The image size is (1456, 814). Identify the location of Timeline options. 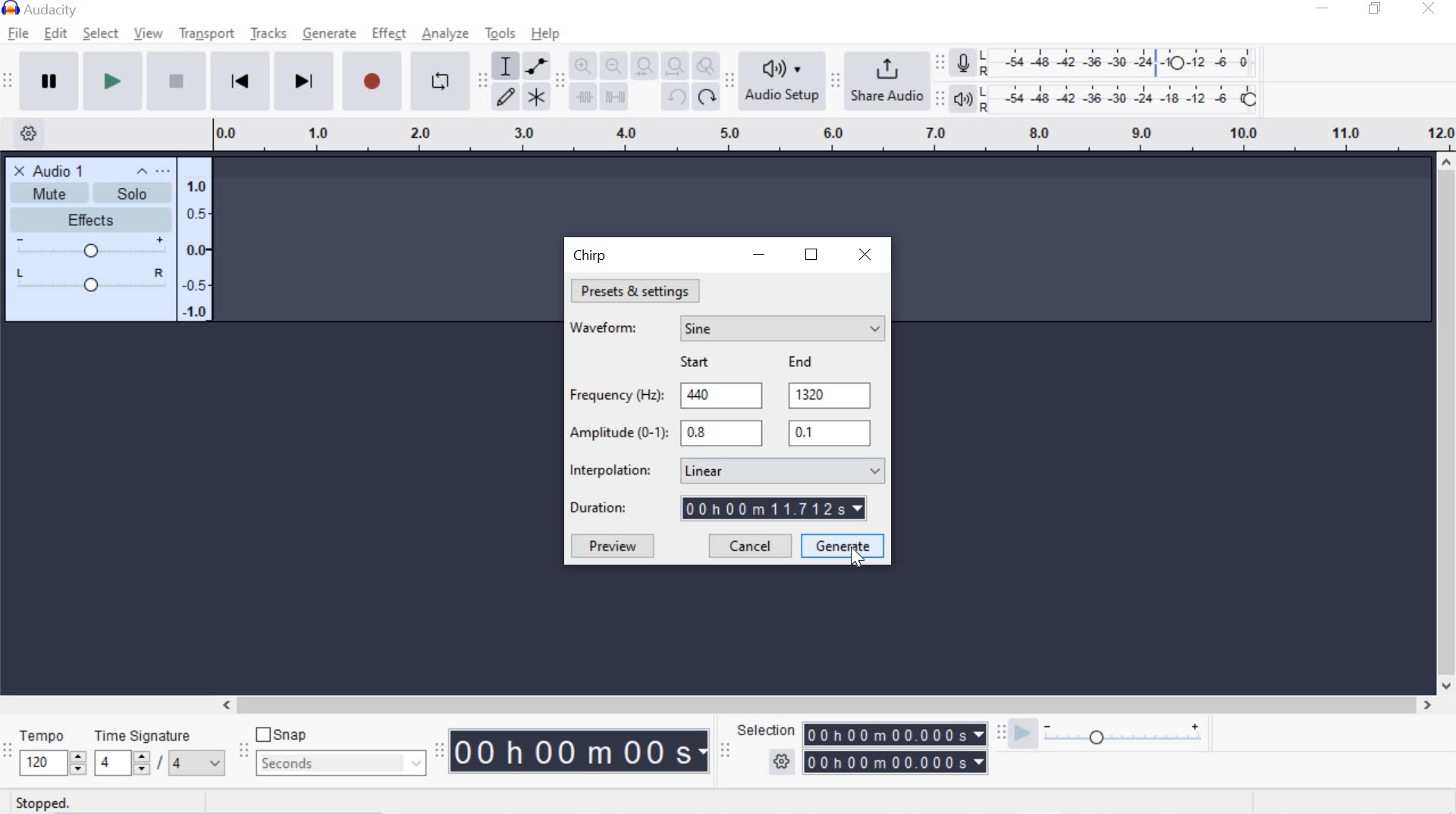
(28, 131).